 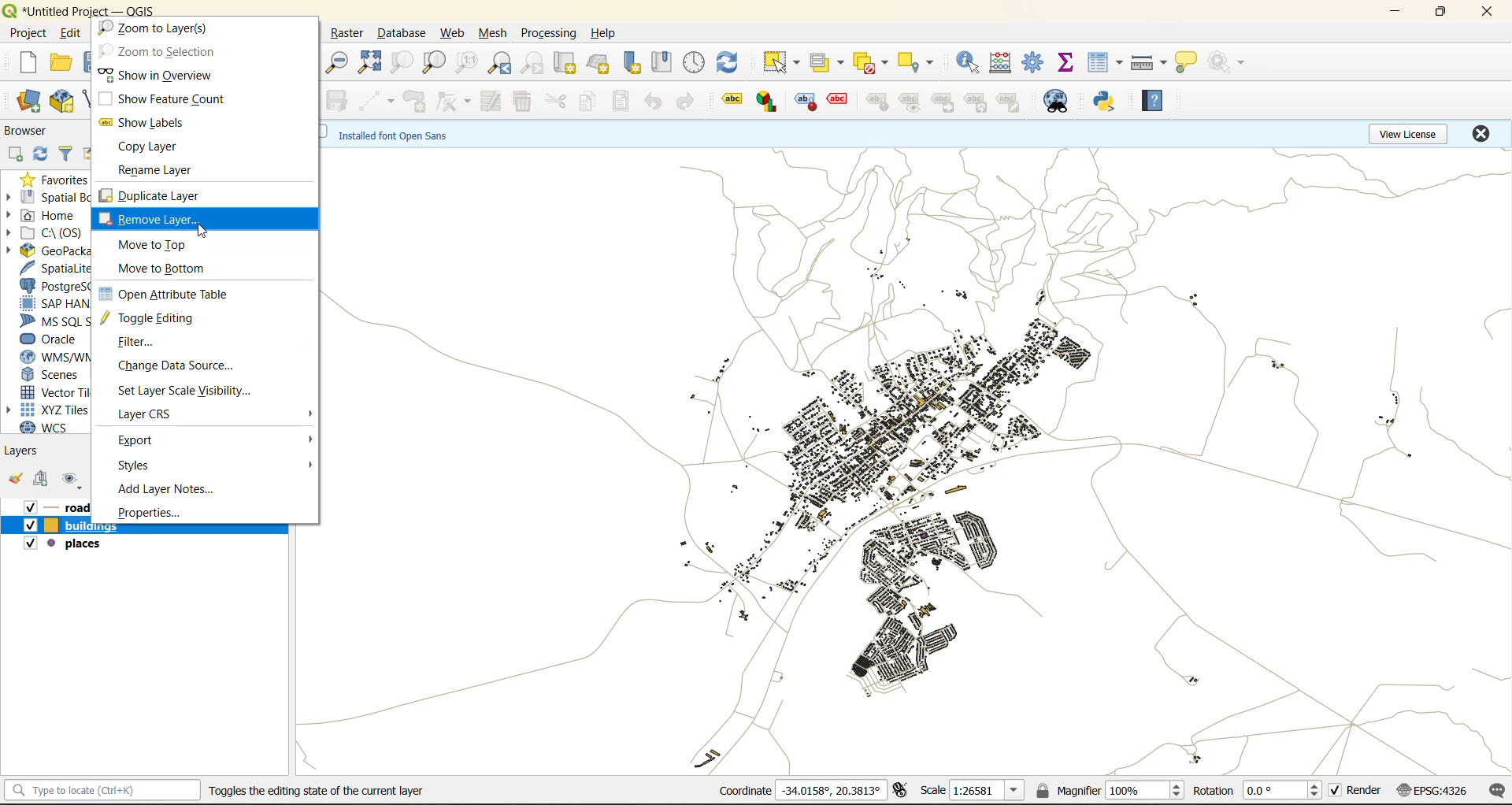 I want to click on attribute table, so click(x=1106, y=62).